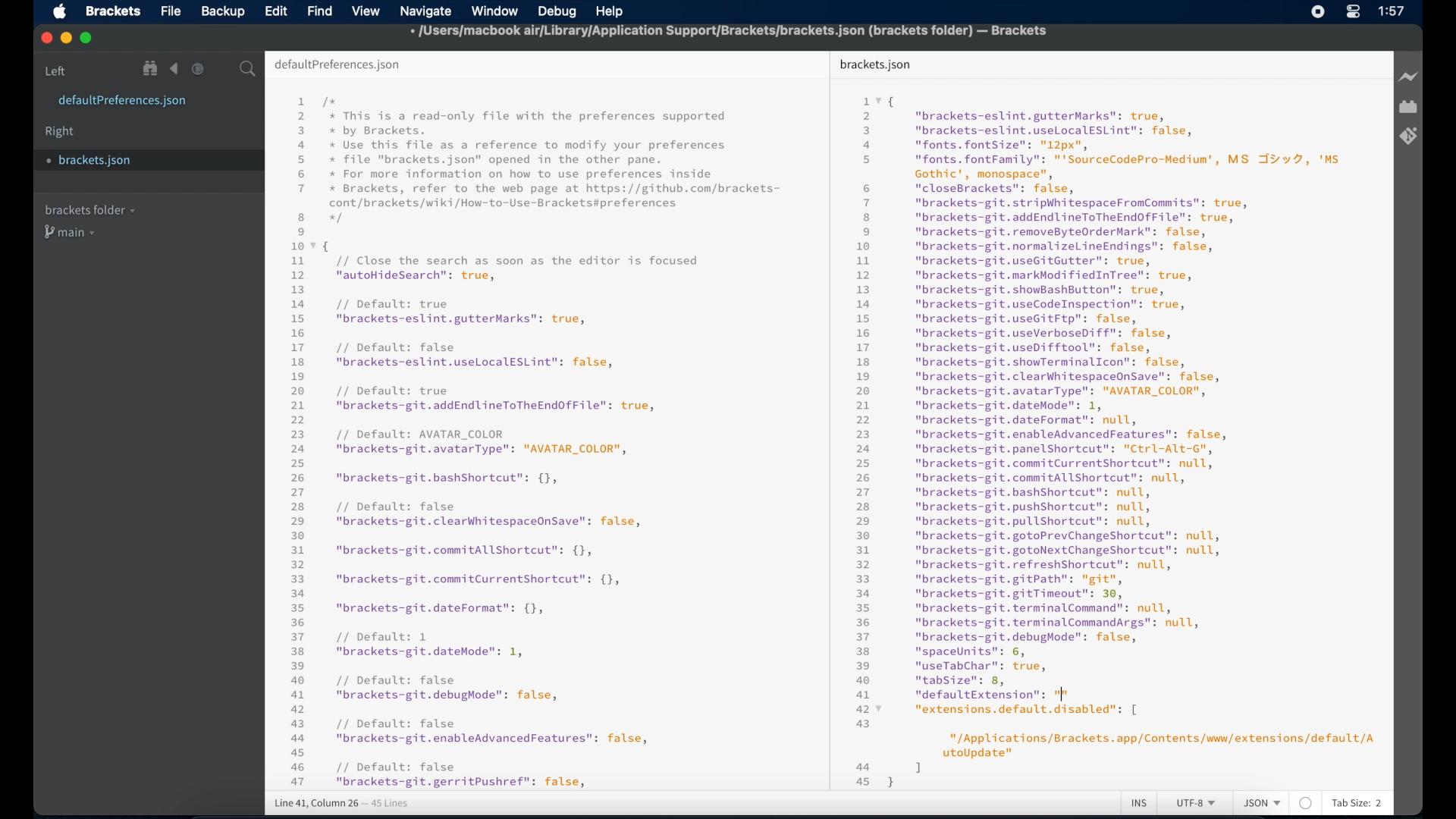  Describe the element at coordinates (1197, 804) in the screenshot. I see `utf-8` at that location.